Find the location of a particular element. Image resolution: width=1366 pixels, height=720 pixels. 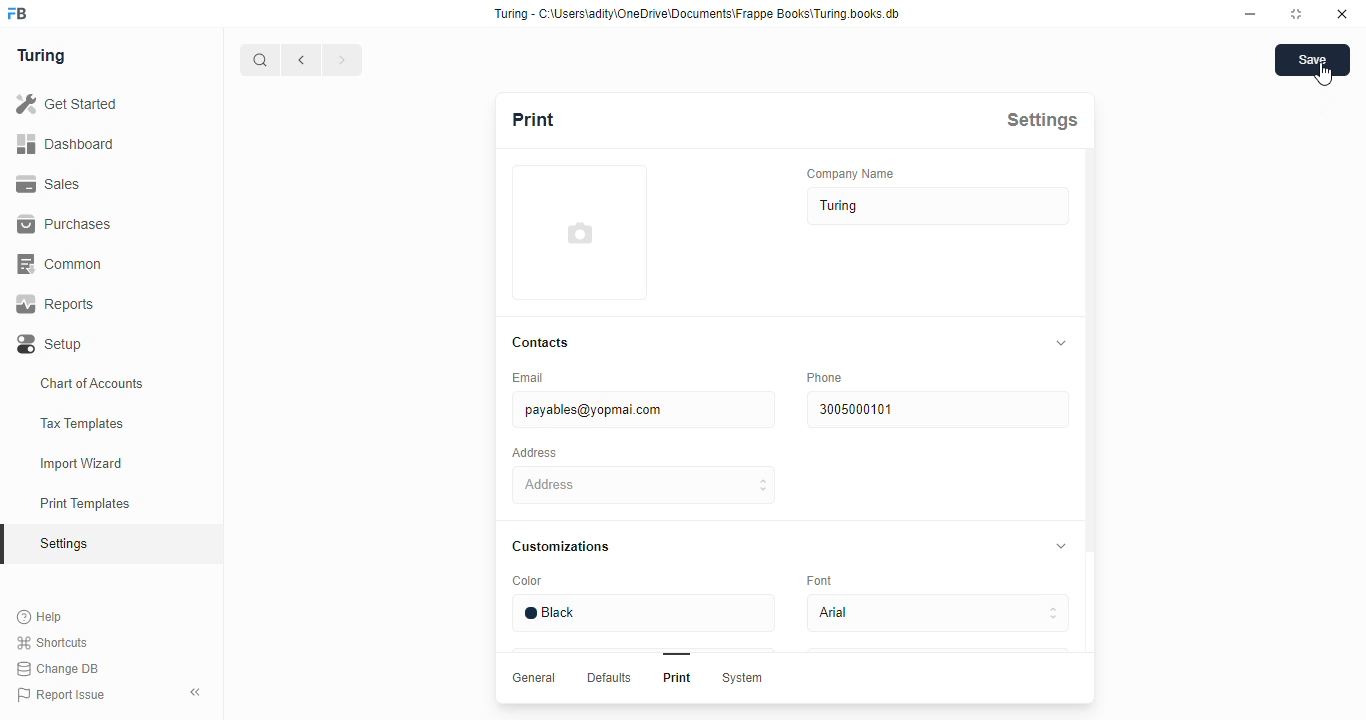

maximise is located at coordinates (1299, 14).